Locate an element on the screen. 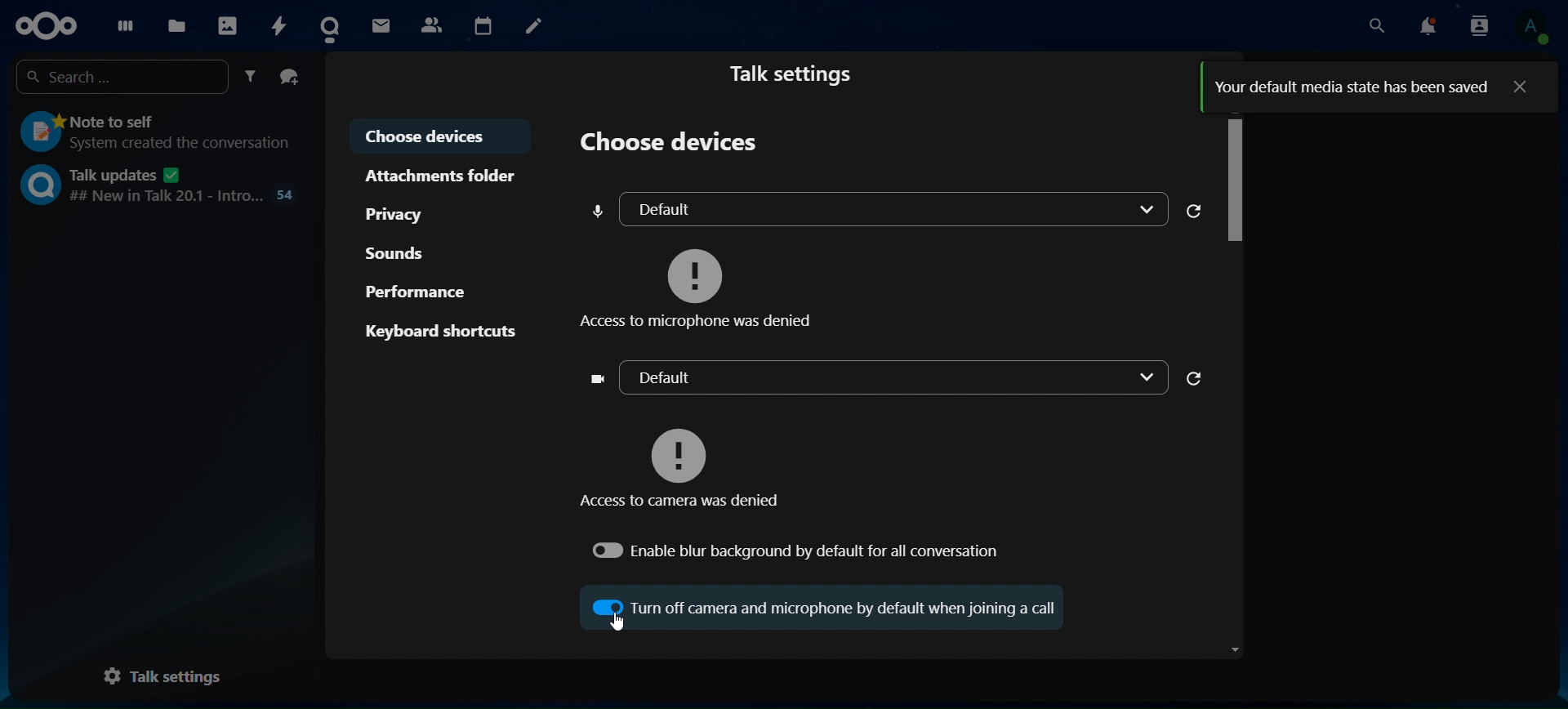 This screenshot has width=1568, height=709. photos is located at coordinates (229, 25).